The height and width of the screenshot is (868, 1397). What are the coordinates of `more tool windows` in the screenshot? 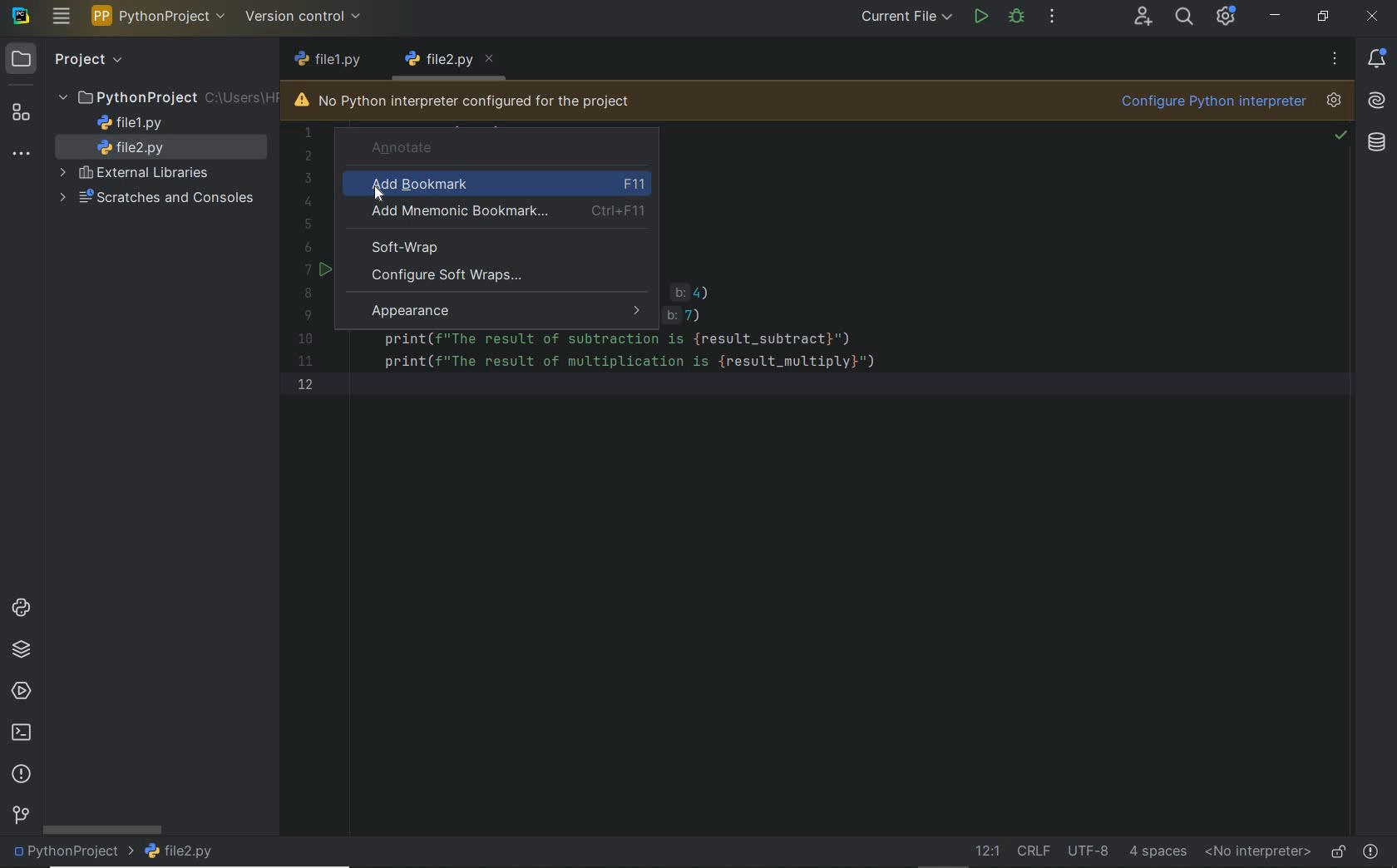 It's located at (22, 156).